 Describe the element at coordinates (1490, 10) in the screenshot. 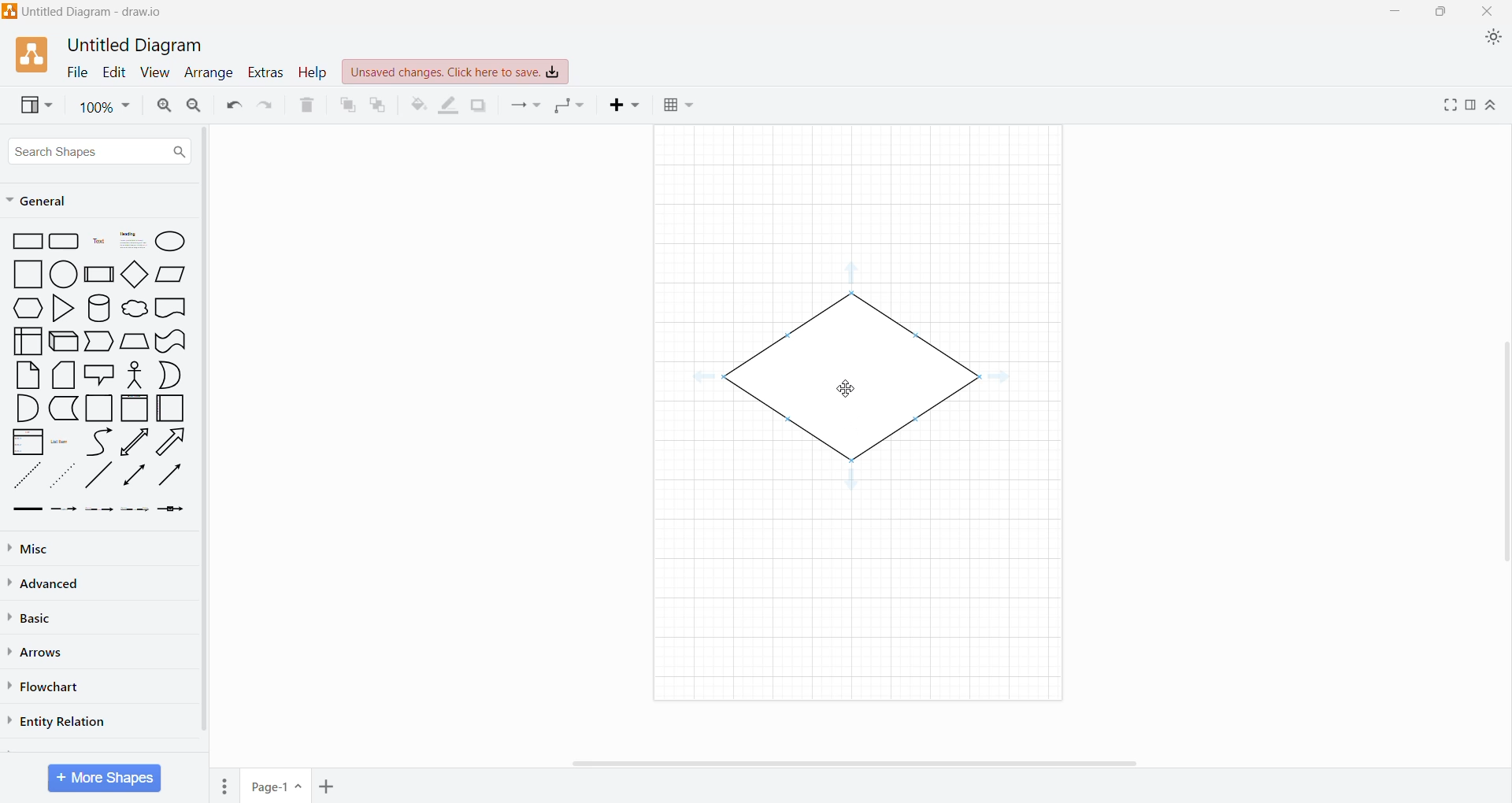

I see `Close` at that location.